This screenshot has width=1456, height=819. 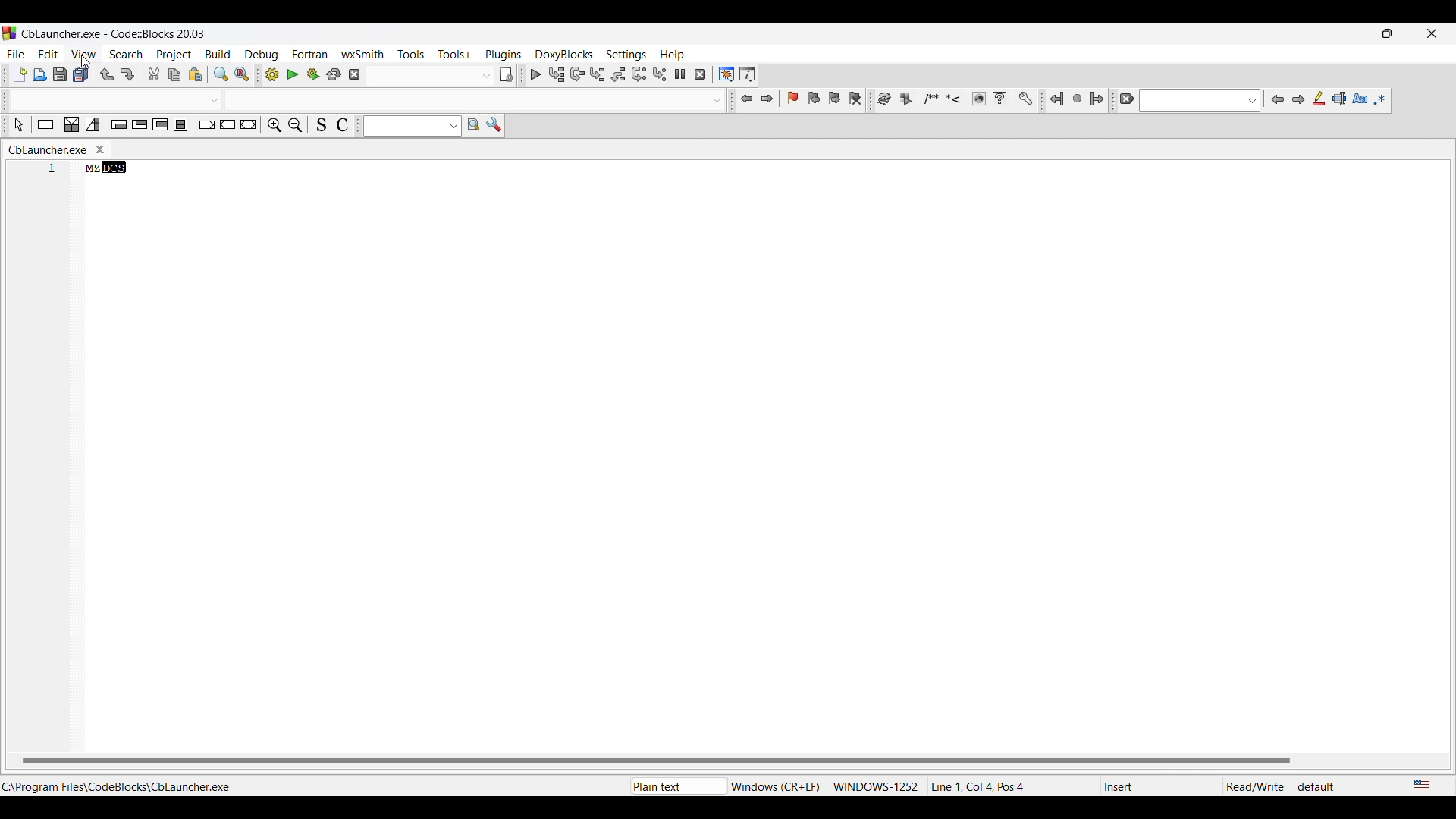 I want to click on Show options window, so click(x=494, y=124).